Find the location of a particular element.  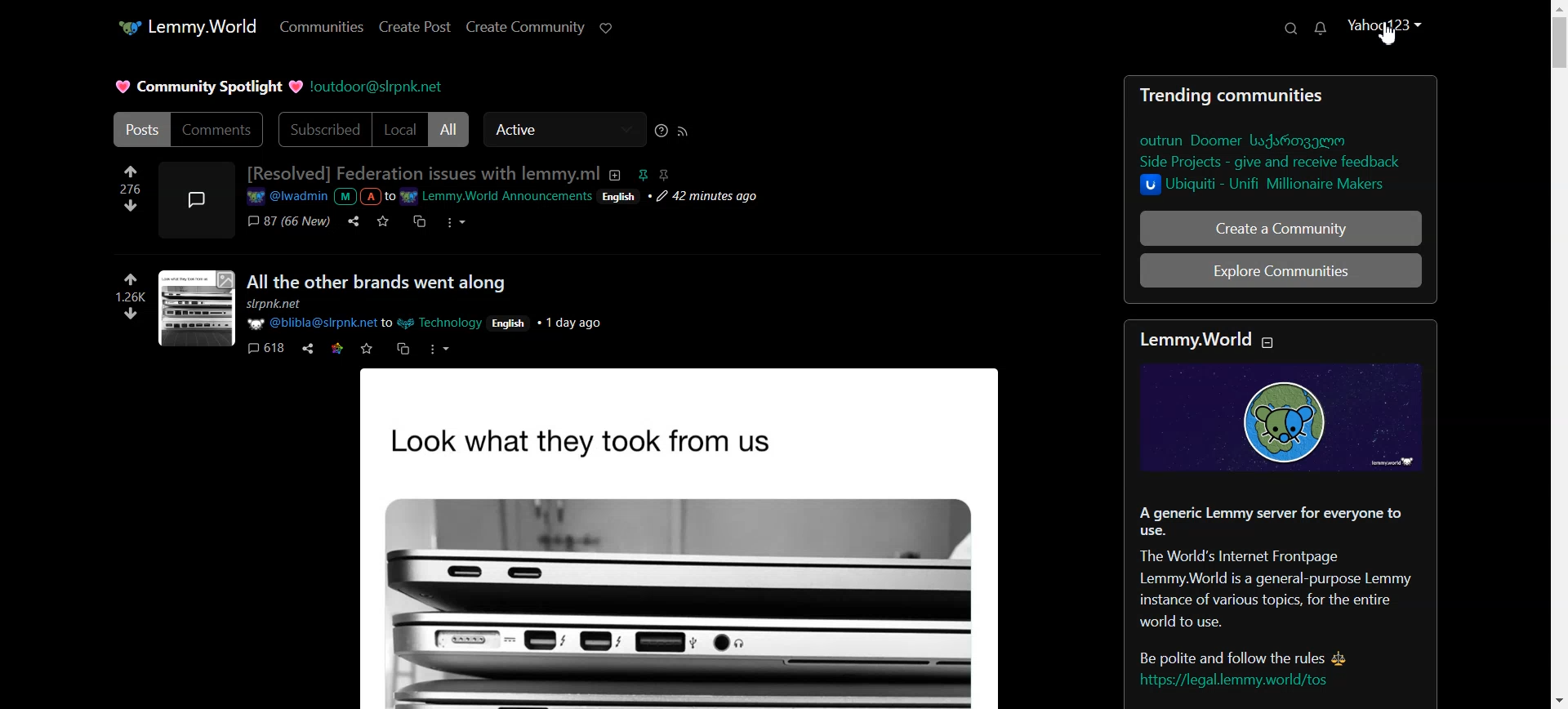

Text is located at coordinates (208, 87).